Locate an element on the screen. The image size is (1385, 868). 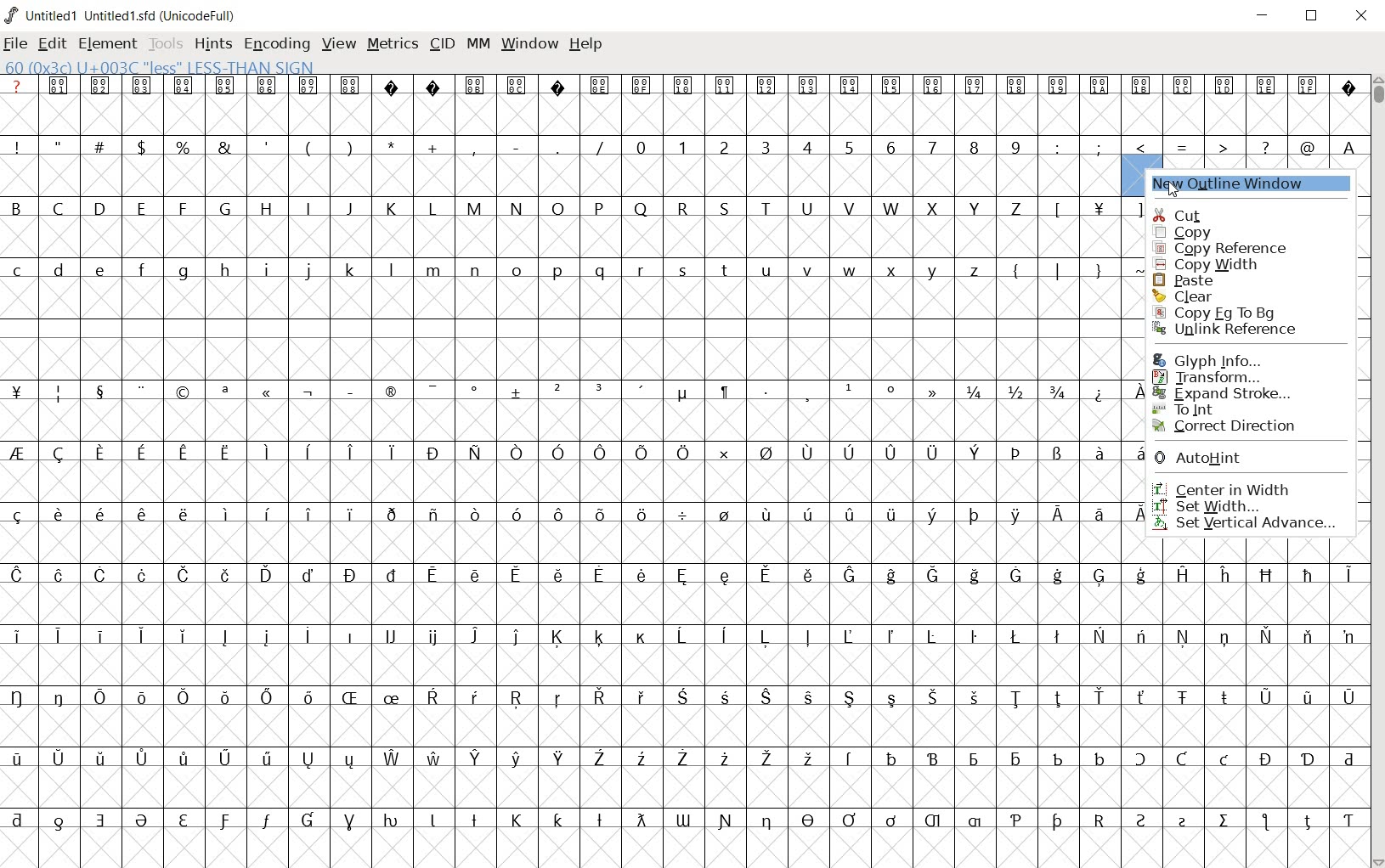
special letters is located at coordinates (574, 451).